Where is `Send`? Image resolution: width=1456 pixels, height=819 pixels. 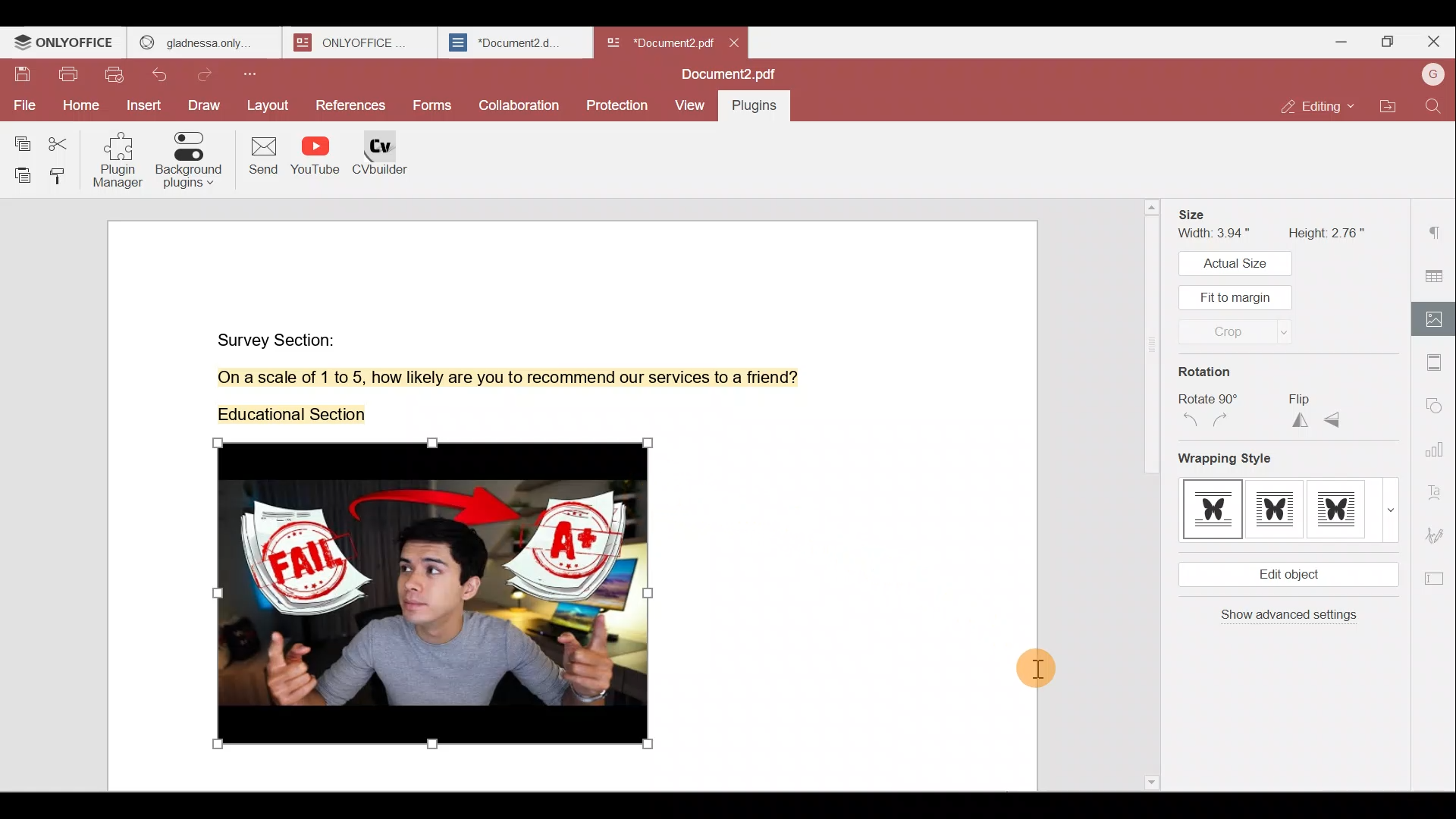 Send is located at coordinates (257, 158).